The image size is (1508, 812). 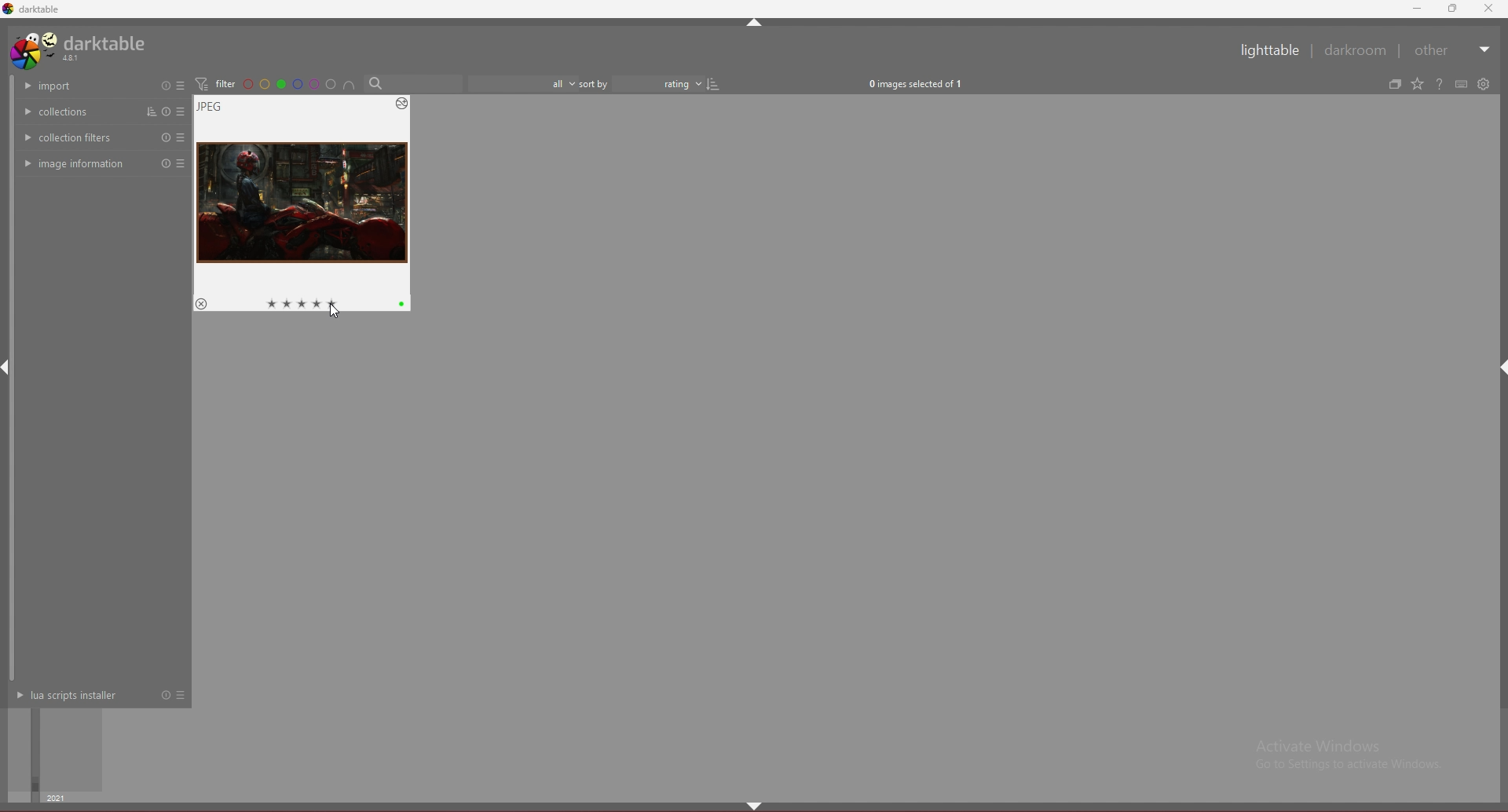 I want to click on image info, so click(x=78, y=164).